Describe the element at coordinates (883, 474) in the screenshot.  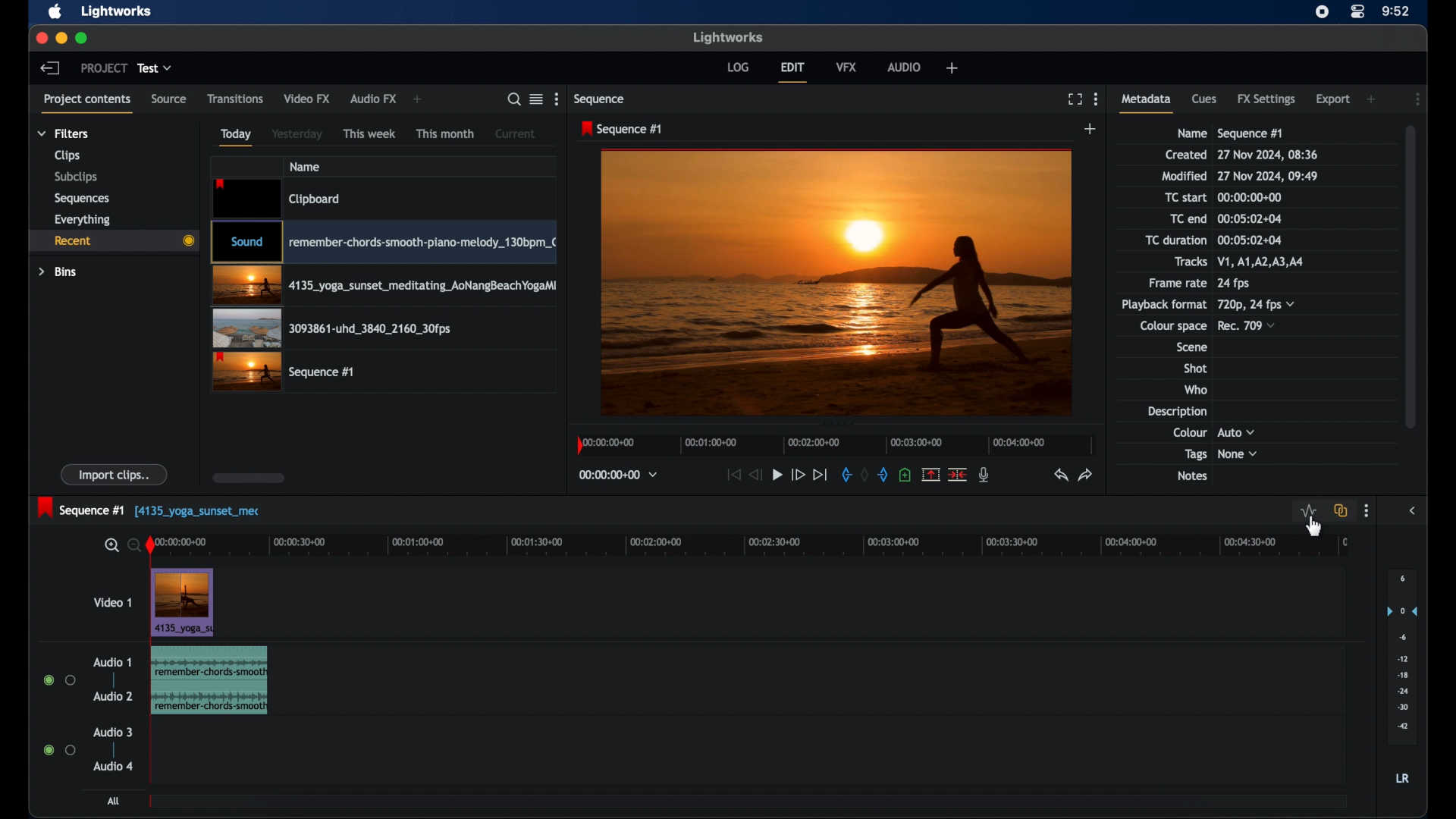
I see `out mark` at that location.